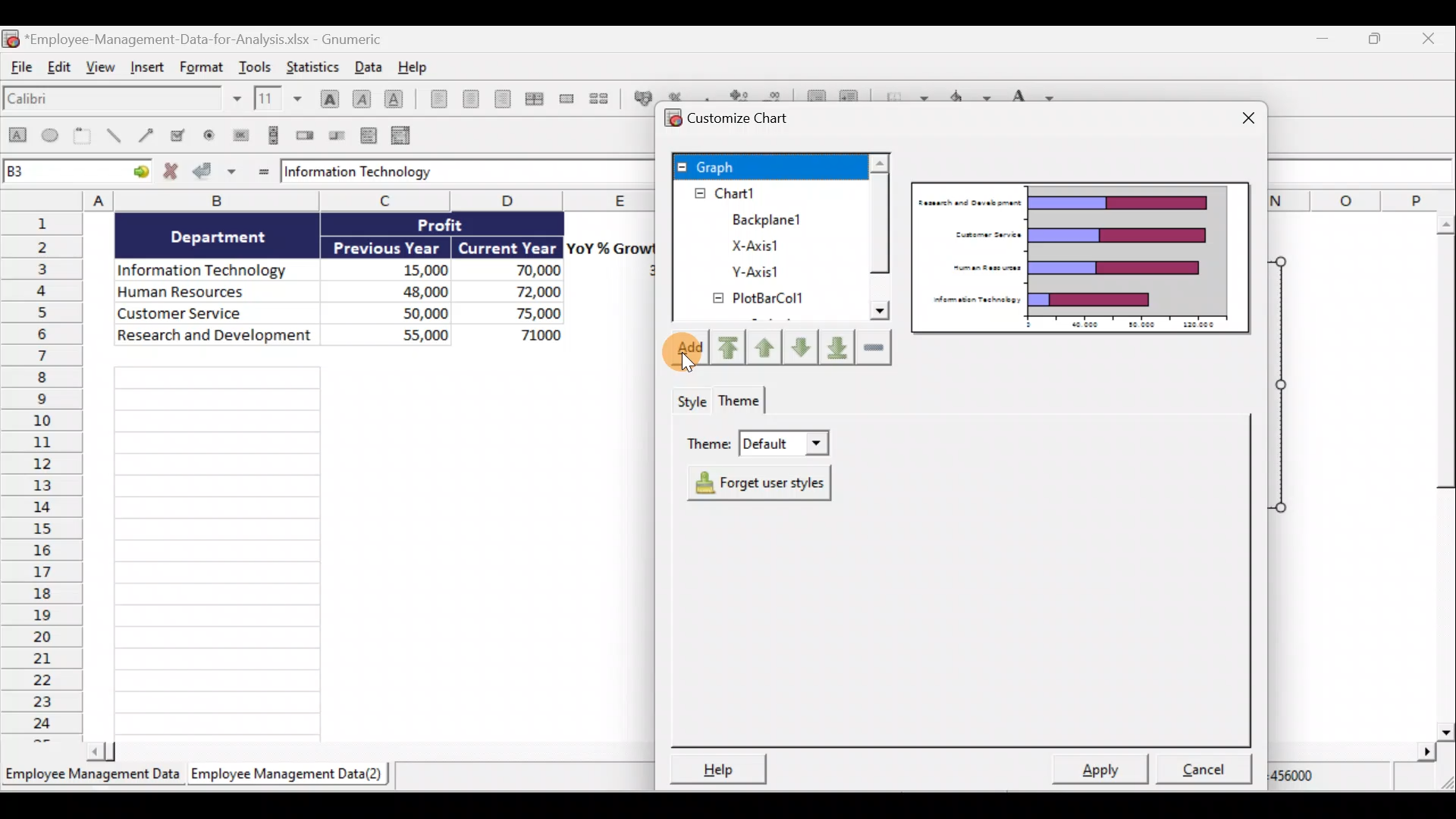 This screenshot has width=1456, height=819. I want to click on Create a radio button, so click(212, 134).